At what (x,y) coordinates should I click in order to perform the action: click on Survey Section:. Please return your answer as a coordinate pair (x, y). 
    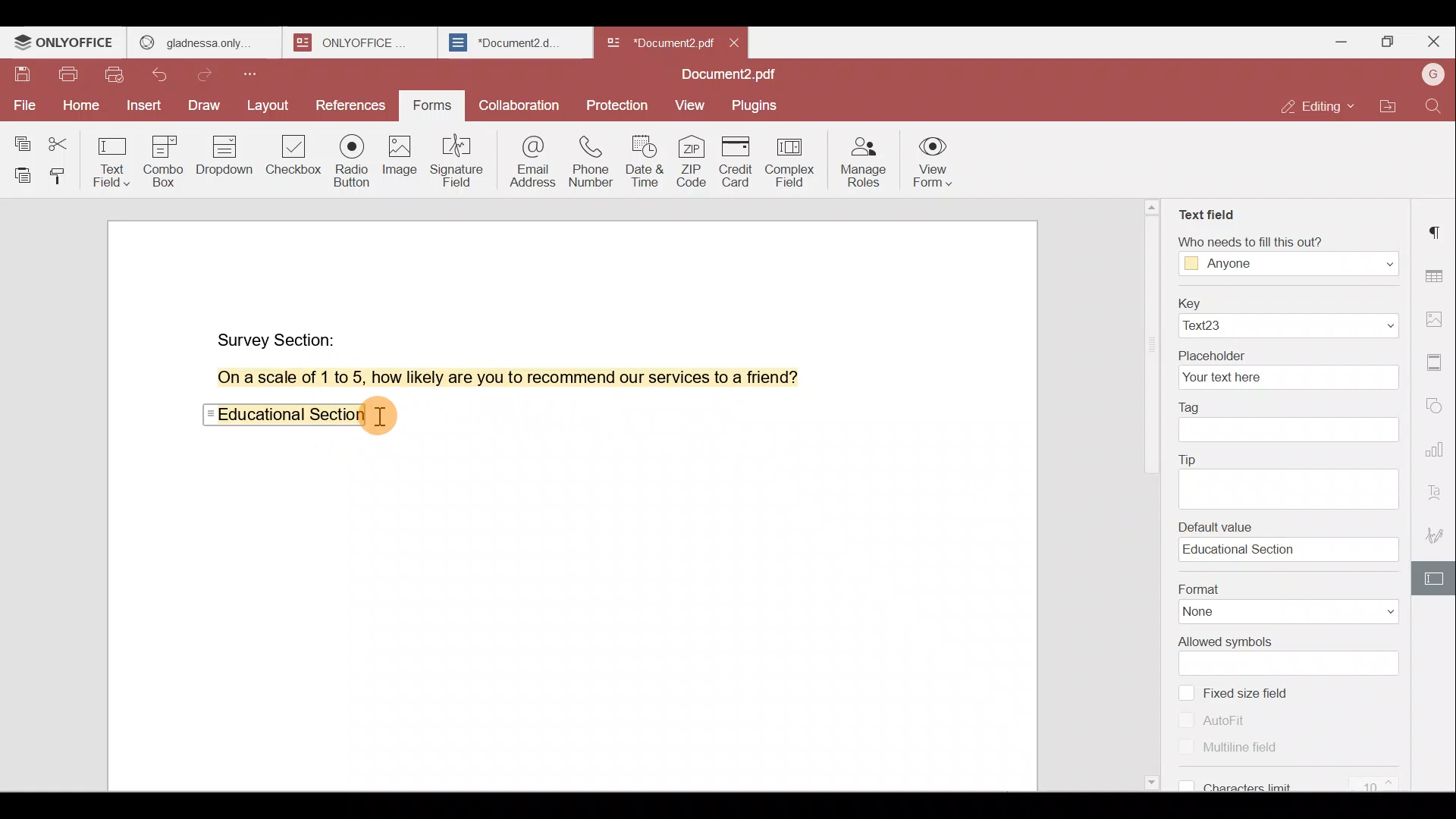
    Looking at the image, I should click on (279, 337).